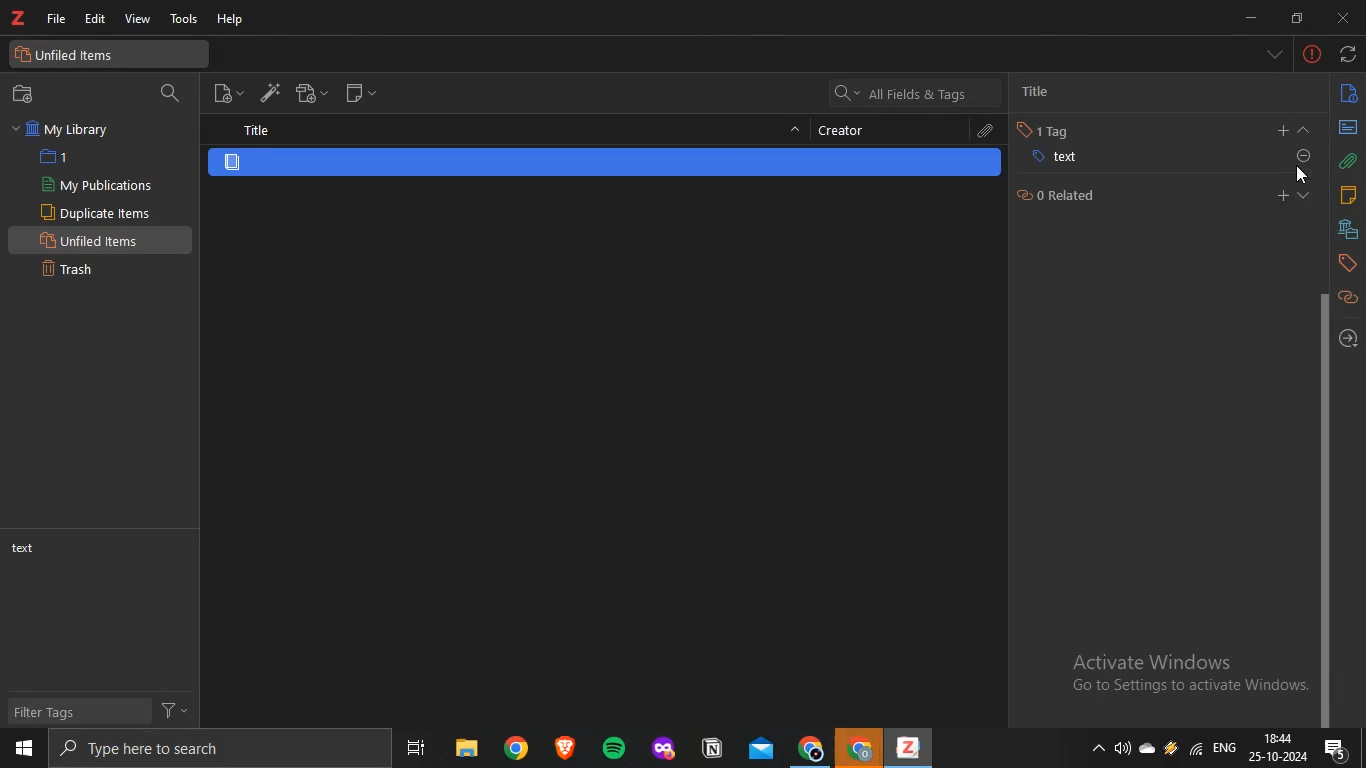 This screenshot has width=1366, height=768. I want to click on unfiled items, so click(111, 52).